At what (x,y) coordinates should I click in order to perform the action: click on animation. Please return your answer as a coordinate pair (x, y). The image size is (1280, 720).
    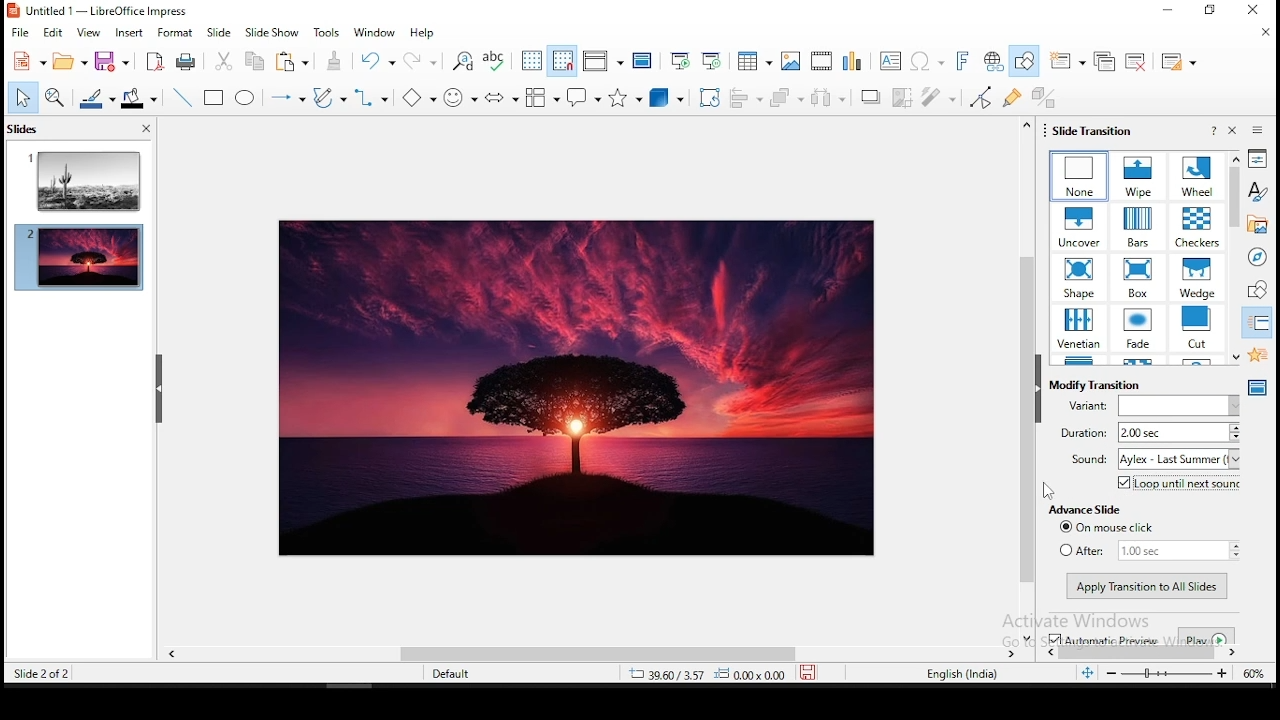
    Looking at the image, I should click on (1255, 355).